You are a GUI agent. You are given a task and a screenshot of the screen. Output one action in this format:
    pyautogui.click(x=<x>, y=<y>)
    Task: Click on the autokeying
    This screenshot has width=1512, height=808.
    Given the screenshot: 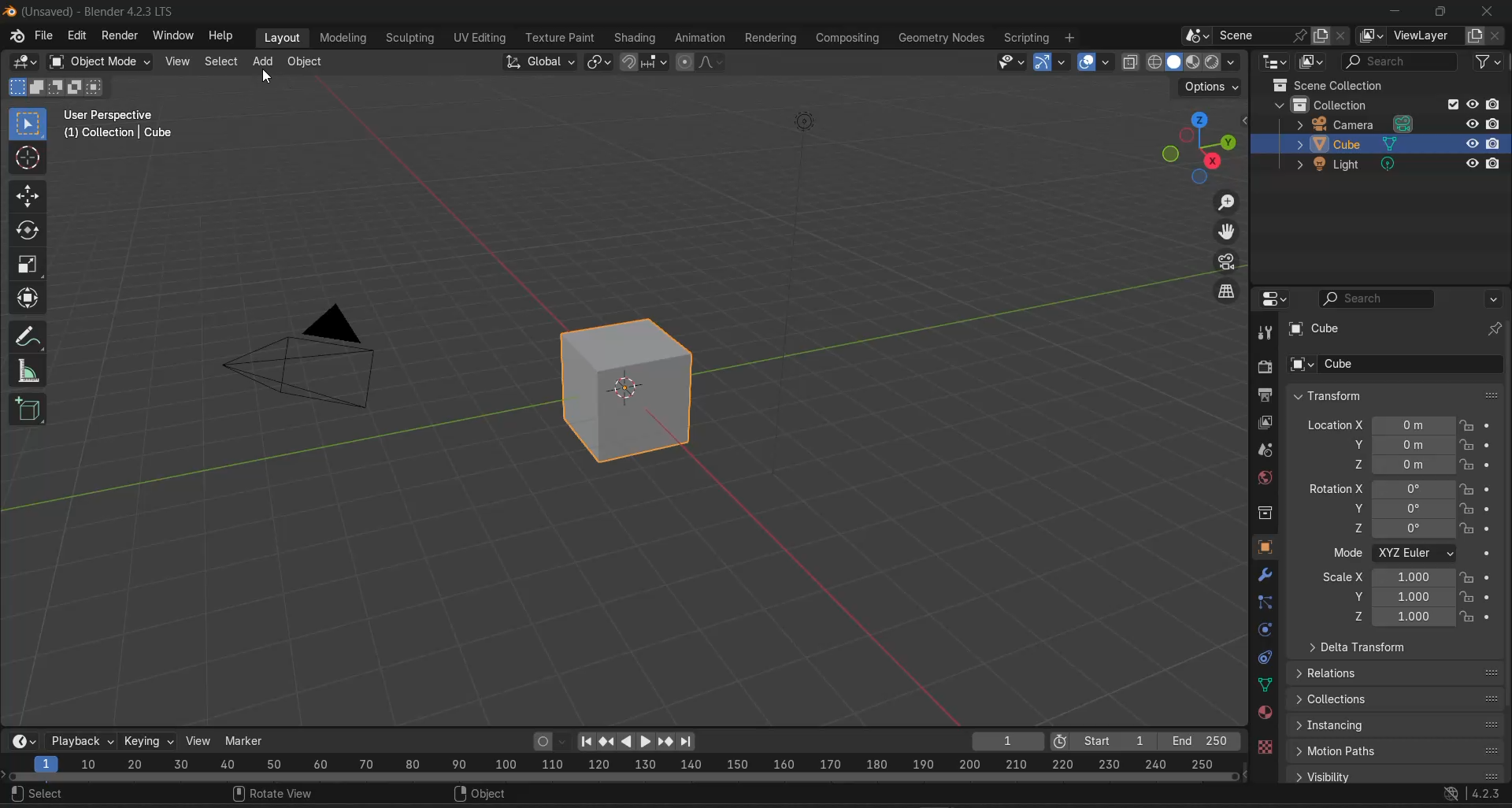 What is the action you would take?
    pyautogui.click(x=543, y=742)
    